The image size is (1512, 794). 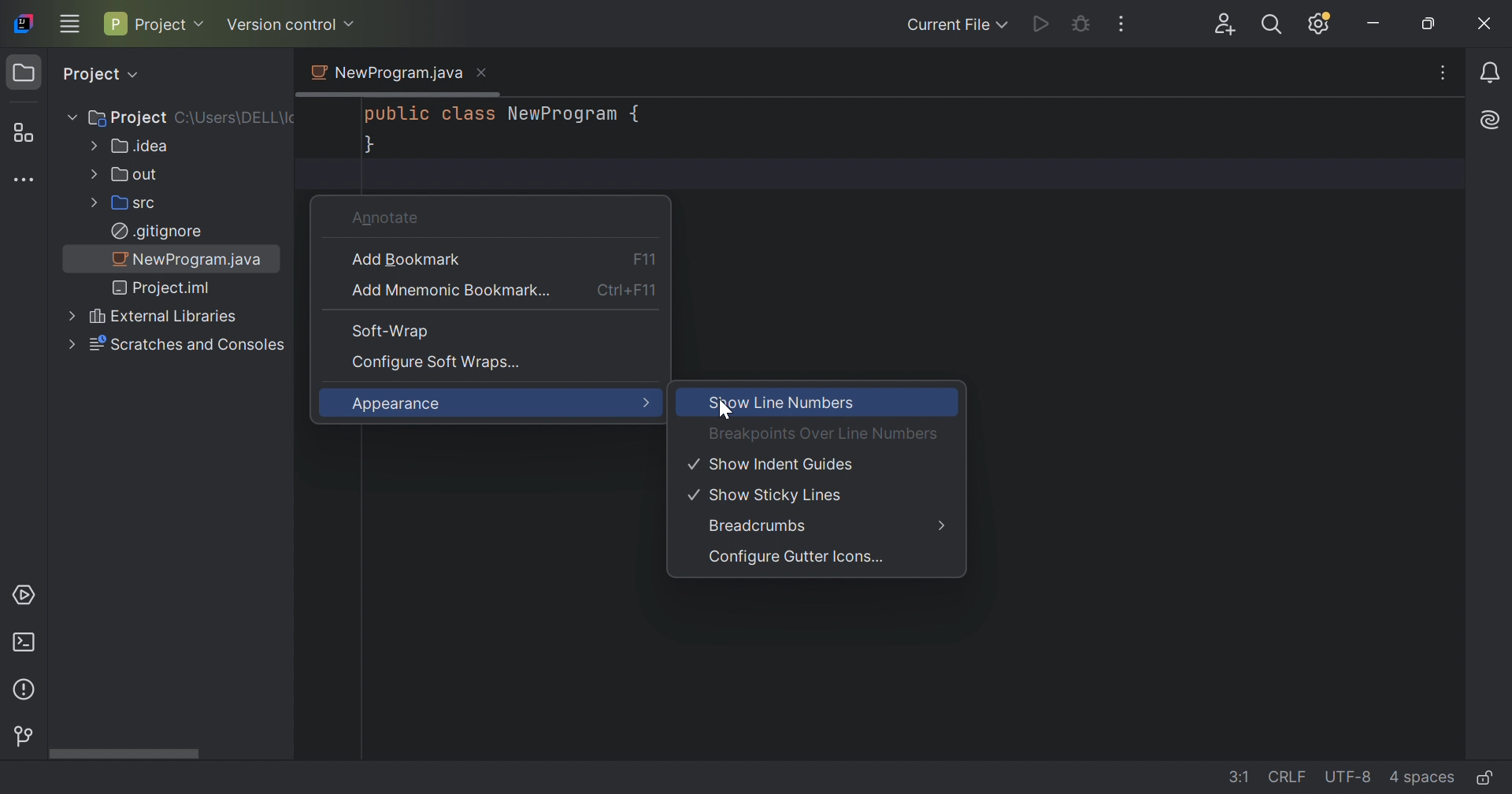 What do you see at coordinates (796, 560) in the screenshot?
I see `Configure Gutter Icons...` at bounding box center [796, 560].